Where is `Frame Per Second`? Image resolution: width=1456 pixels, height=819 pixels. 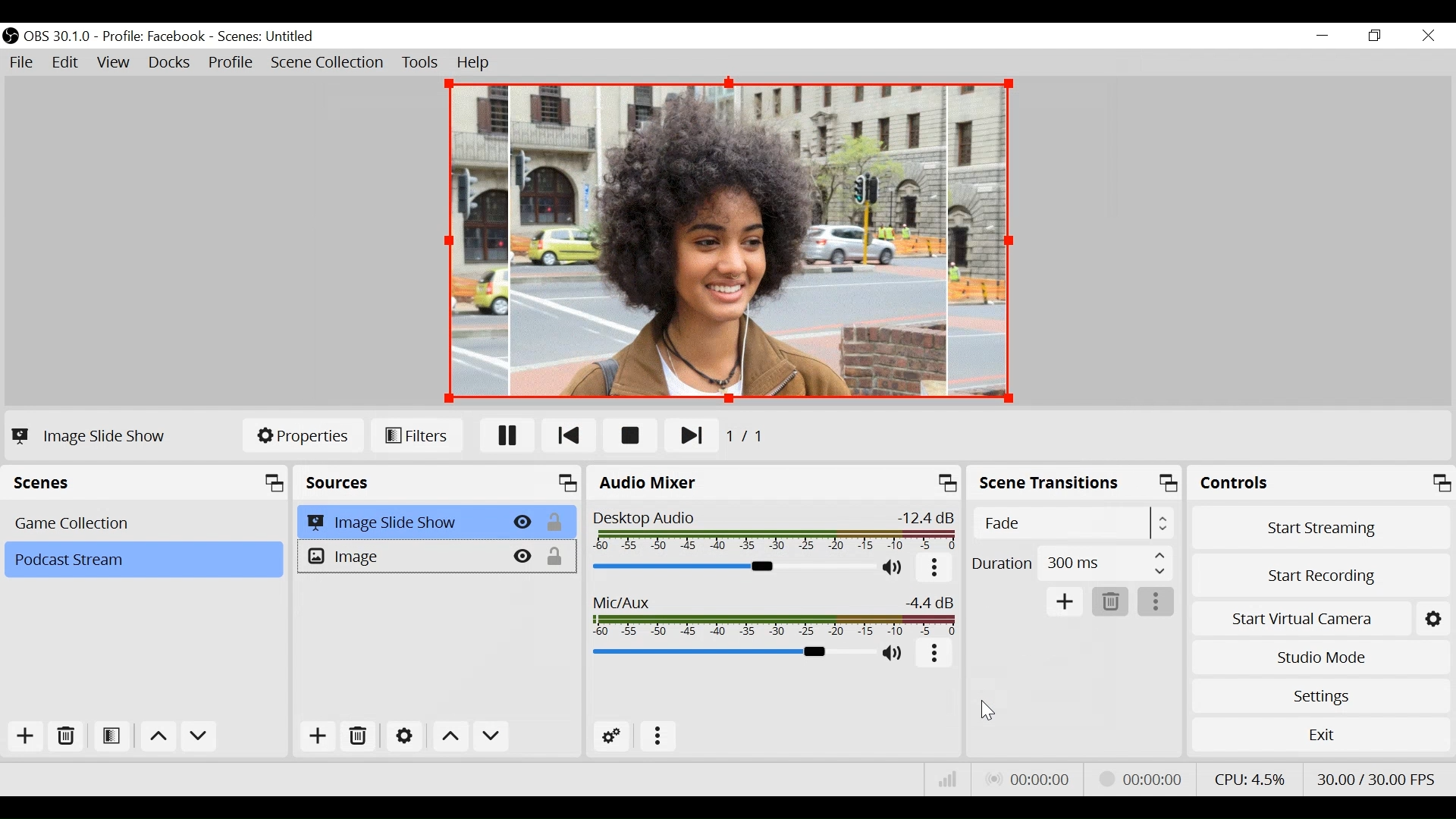 Frame Per Second is located at coordinates (1376, 776).